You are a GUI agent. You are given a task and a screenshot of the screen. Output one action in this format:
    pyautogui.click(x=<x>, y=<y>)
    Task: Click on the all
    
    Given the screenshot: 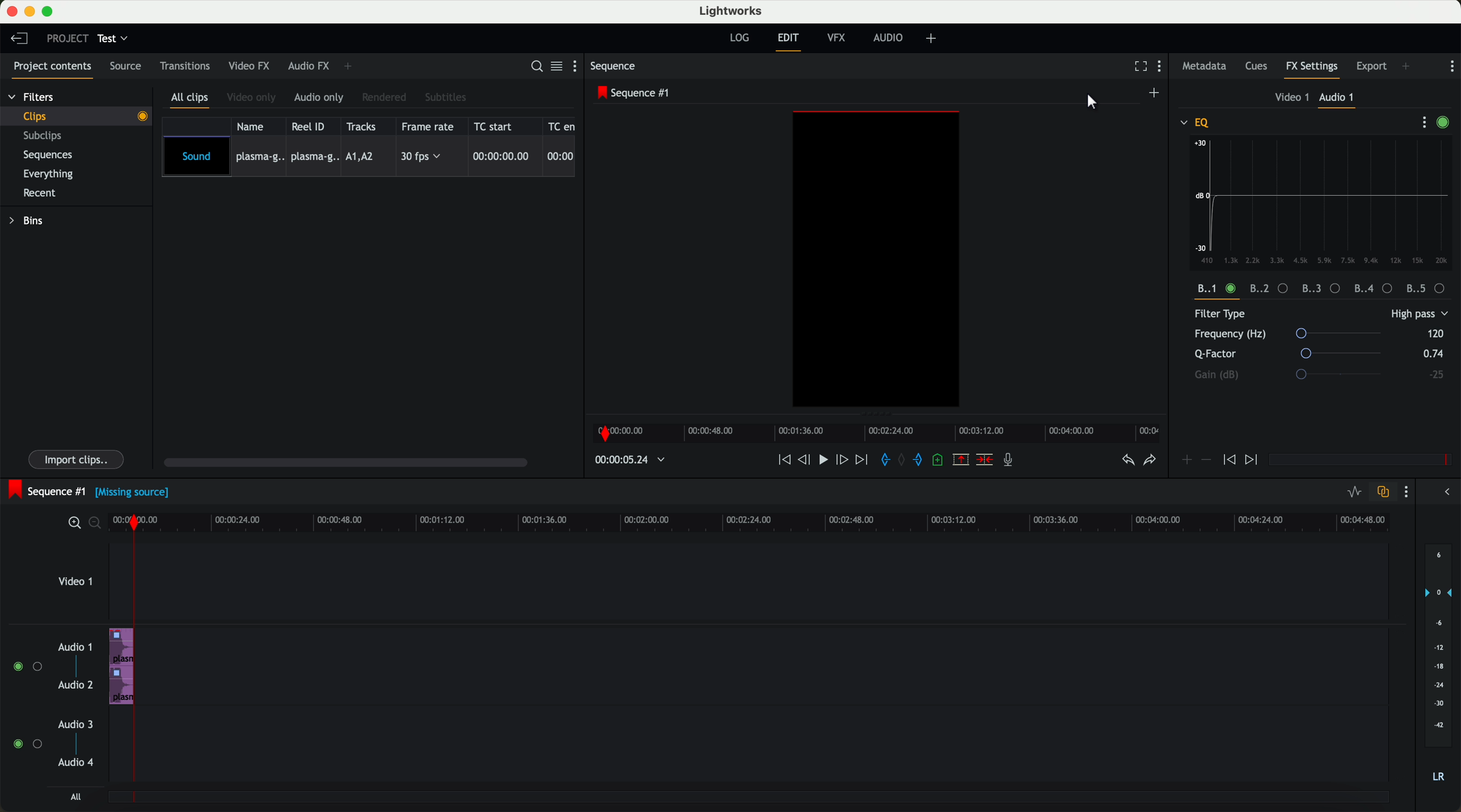 What is the action you would take?
    pyautogui.click(x=74, y=798)
    